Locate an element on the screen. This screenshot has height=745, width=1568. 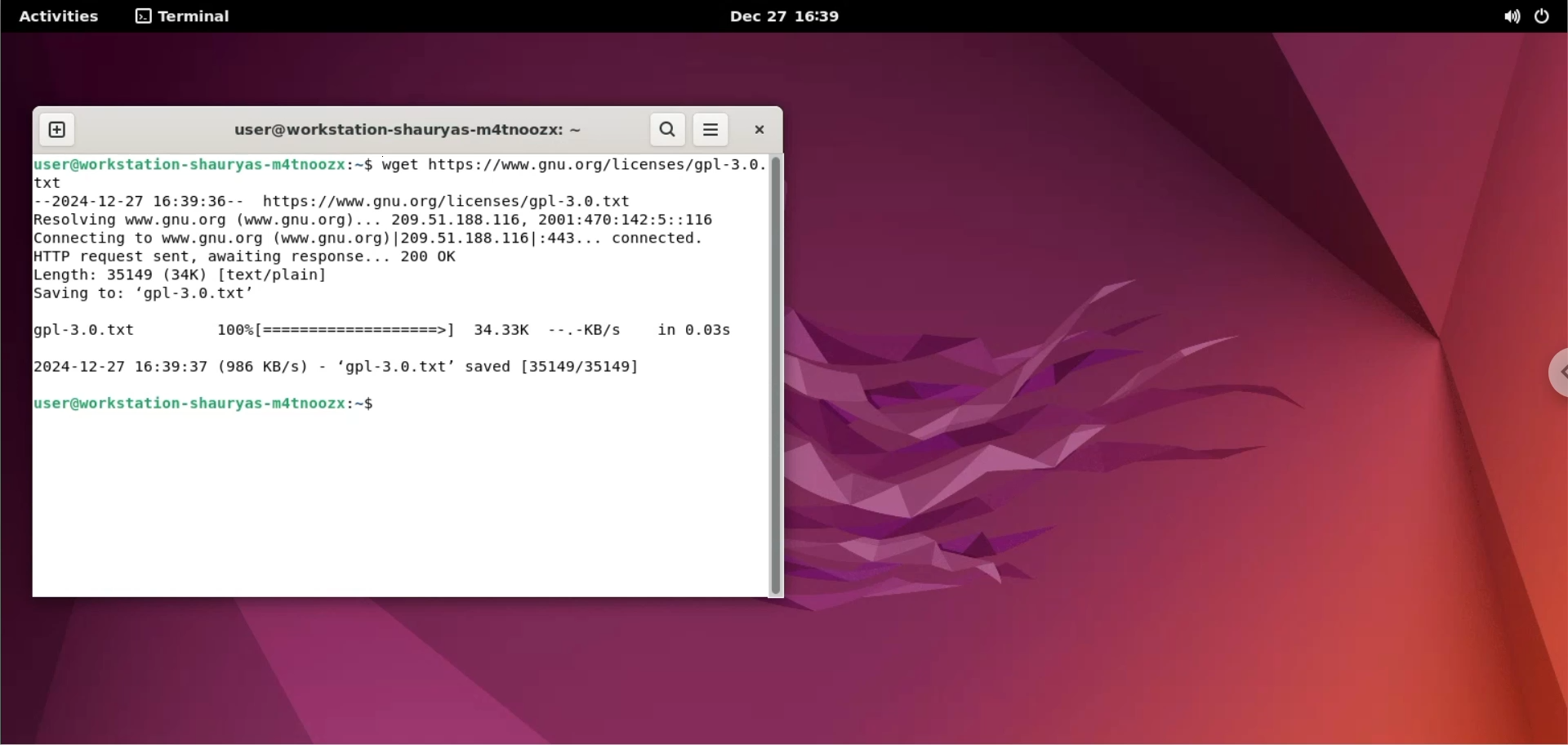
user@workstation-shauryas-m4tnoozx: ~$ is located at coordinates (208, 404).